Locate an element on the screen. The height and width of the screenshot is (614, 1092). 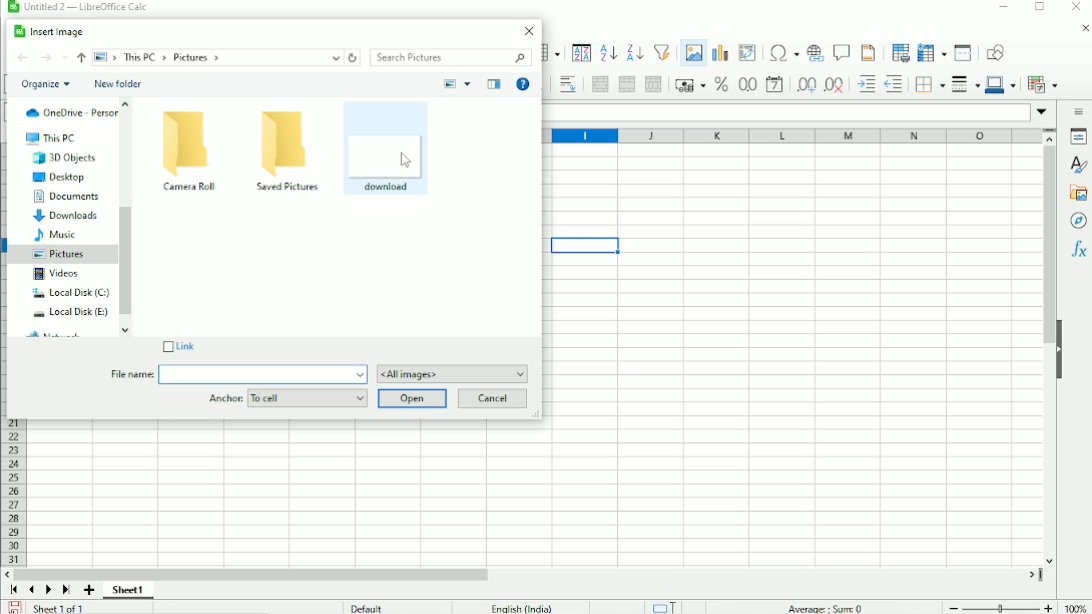
Hide is located at coordinates (1066, 349).